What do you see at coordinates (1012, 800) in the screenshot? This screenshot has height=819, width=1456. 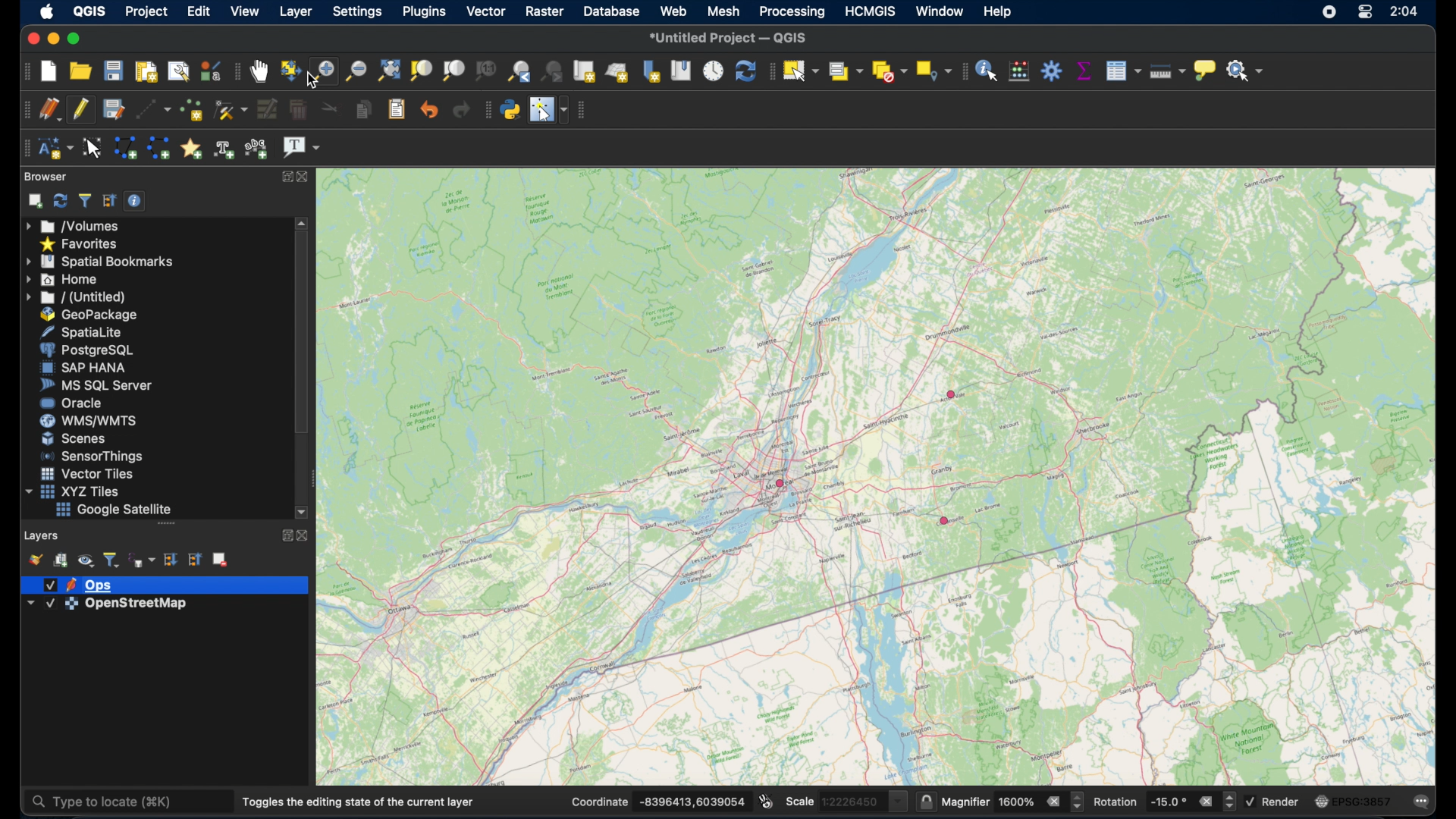 I see `magnifier` at bounding box center [1012, 800].